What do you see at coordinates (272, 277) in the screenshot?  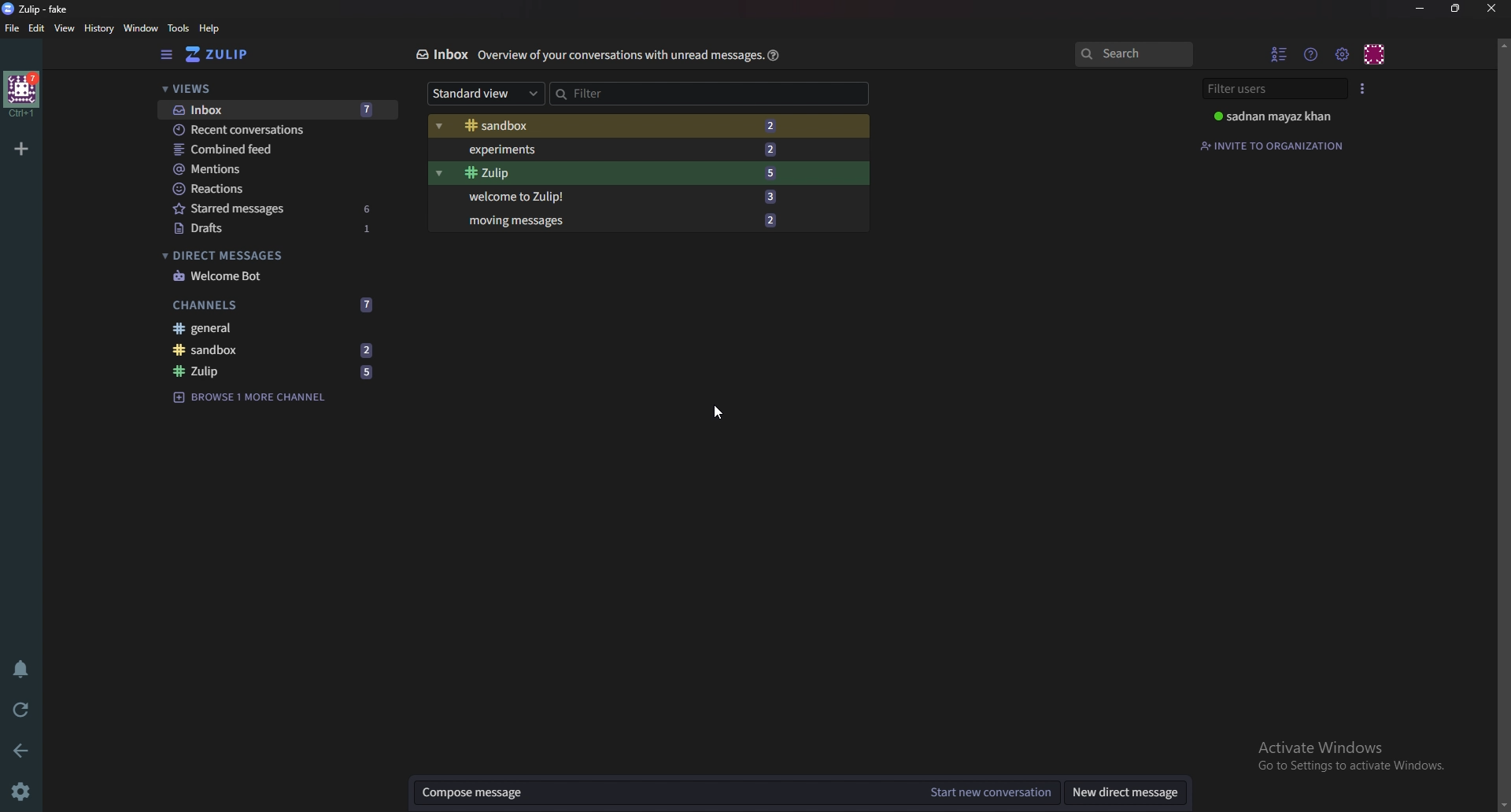 I see `Welcome bot` at bounding box center [272, 277].